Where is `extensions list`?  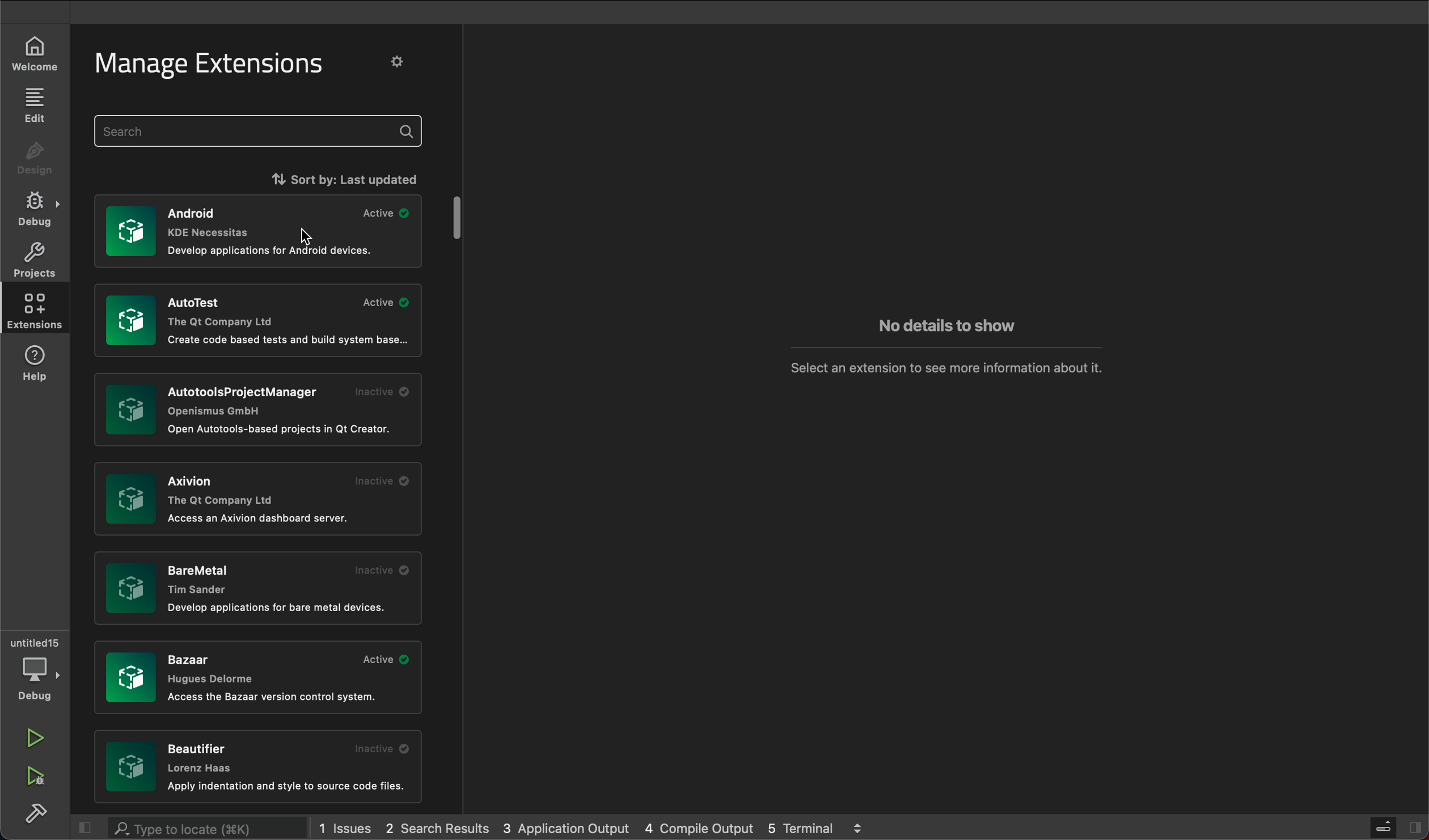
extensions list is located at coordinates (259, 502).